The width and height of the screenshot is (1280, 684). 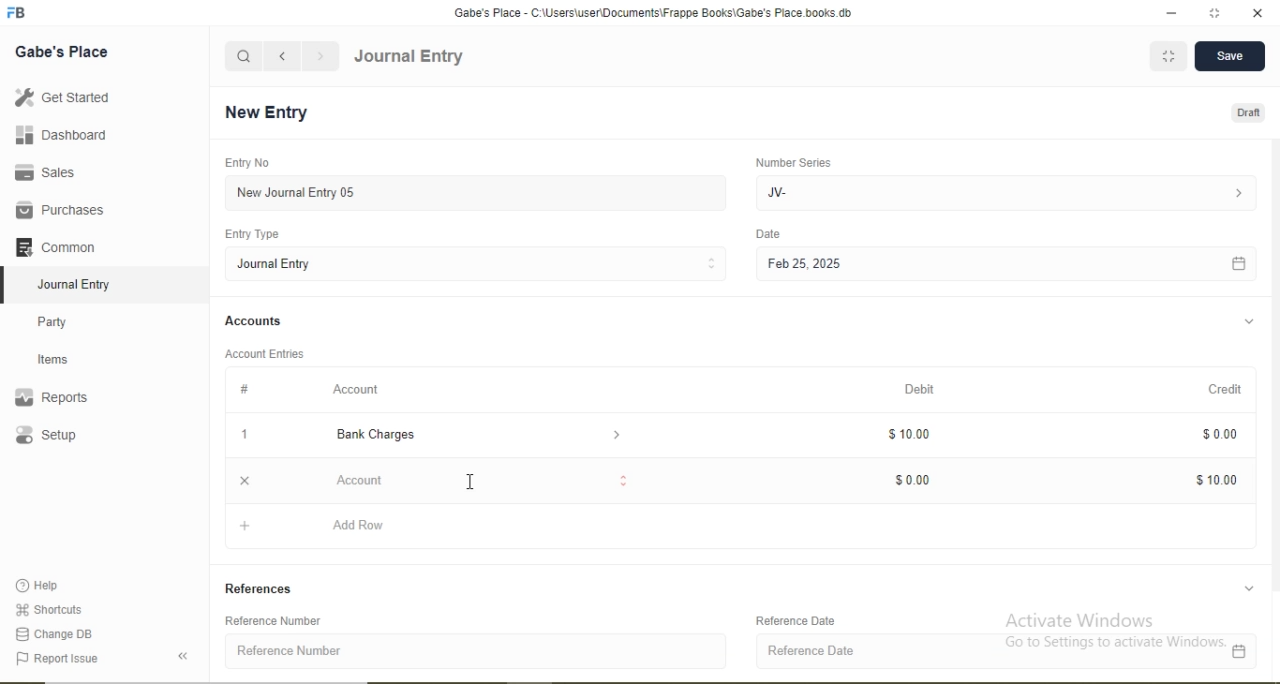 I want to click on Journal Entry, so click(x=409, y=57).